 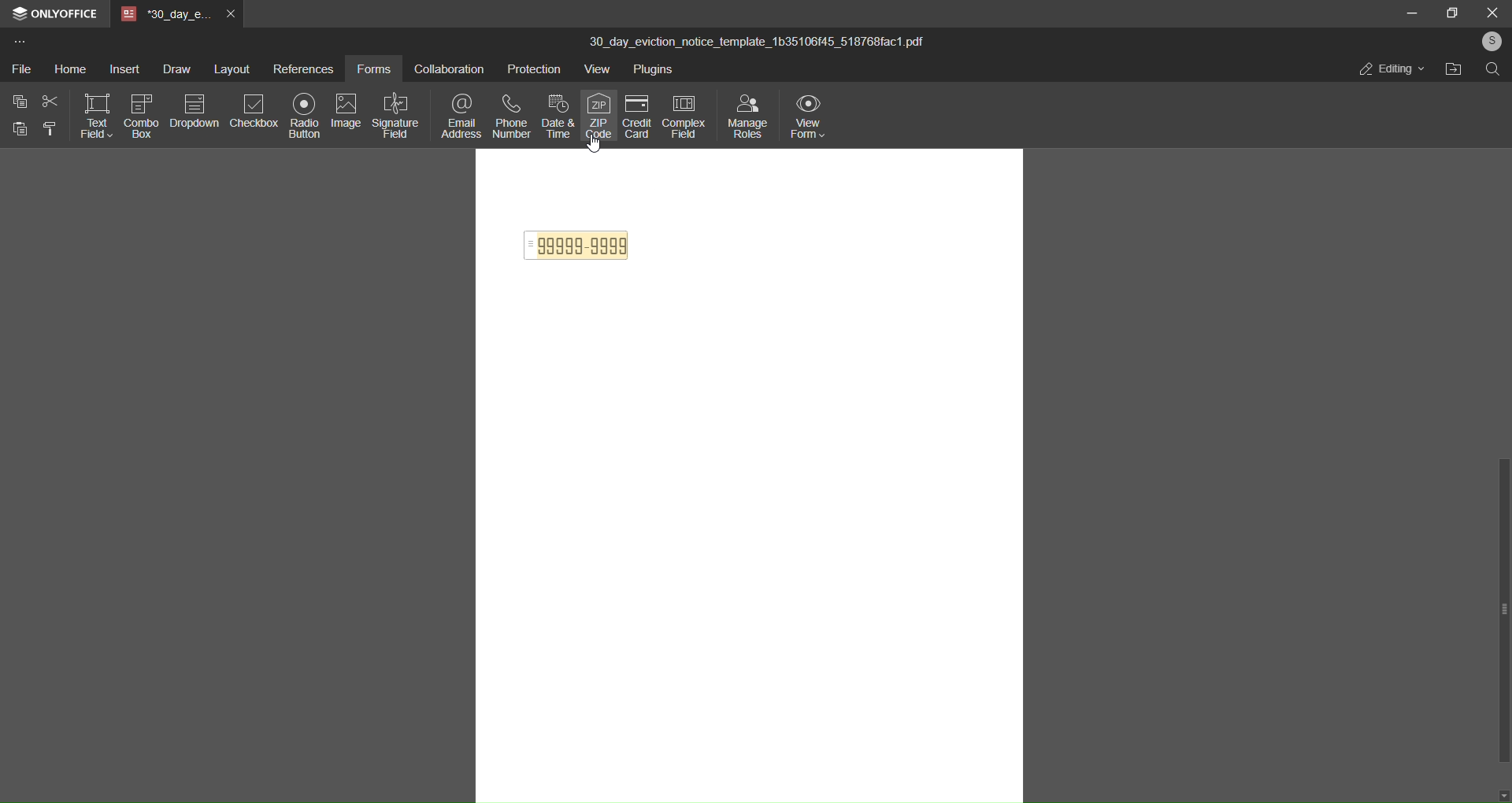 I want to click on protection, so click(x=536, y=70).